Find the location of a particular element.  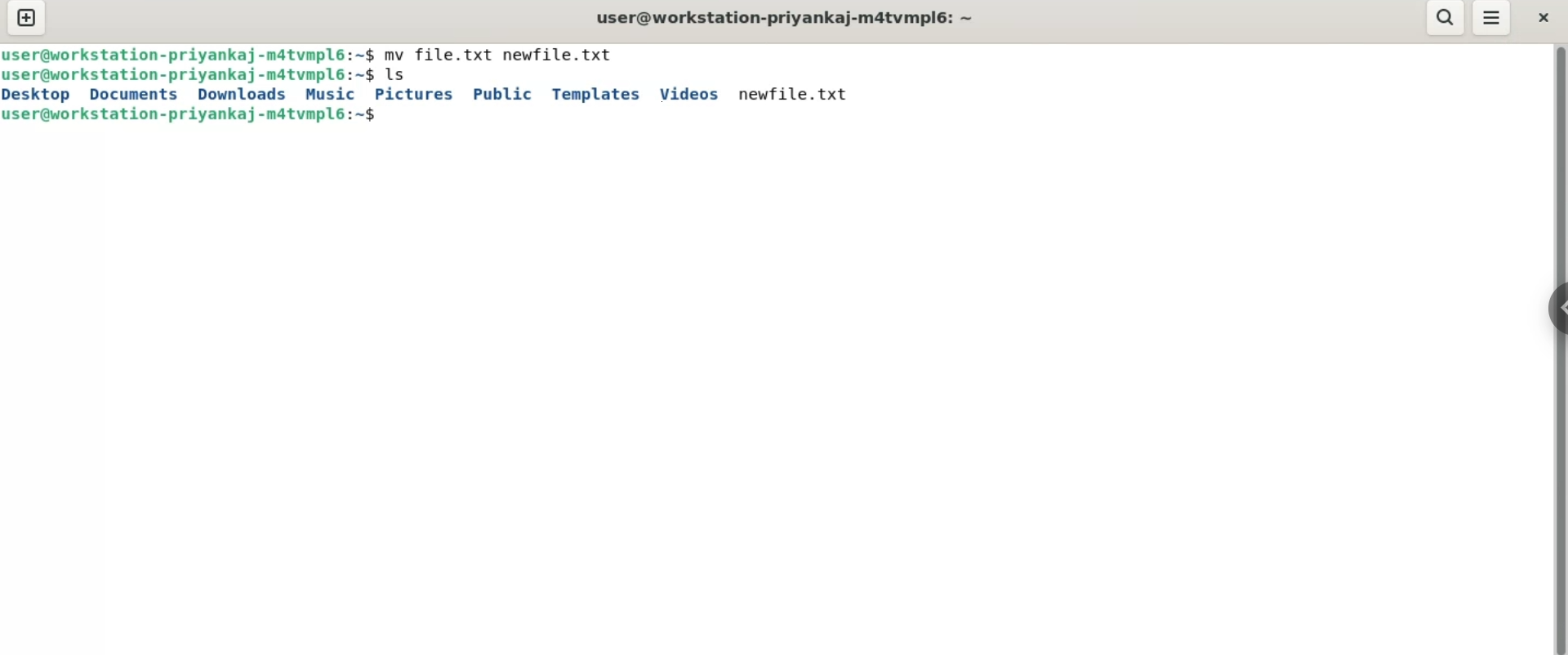

verical scroll bar is located at coordinates (1560, 348).